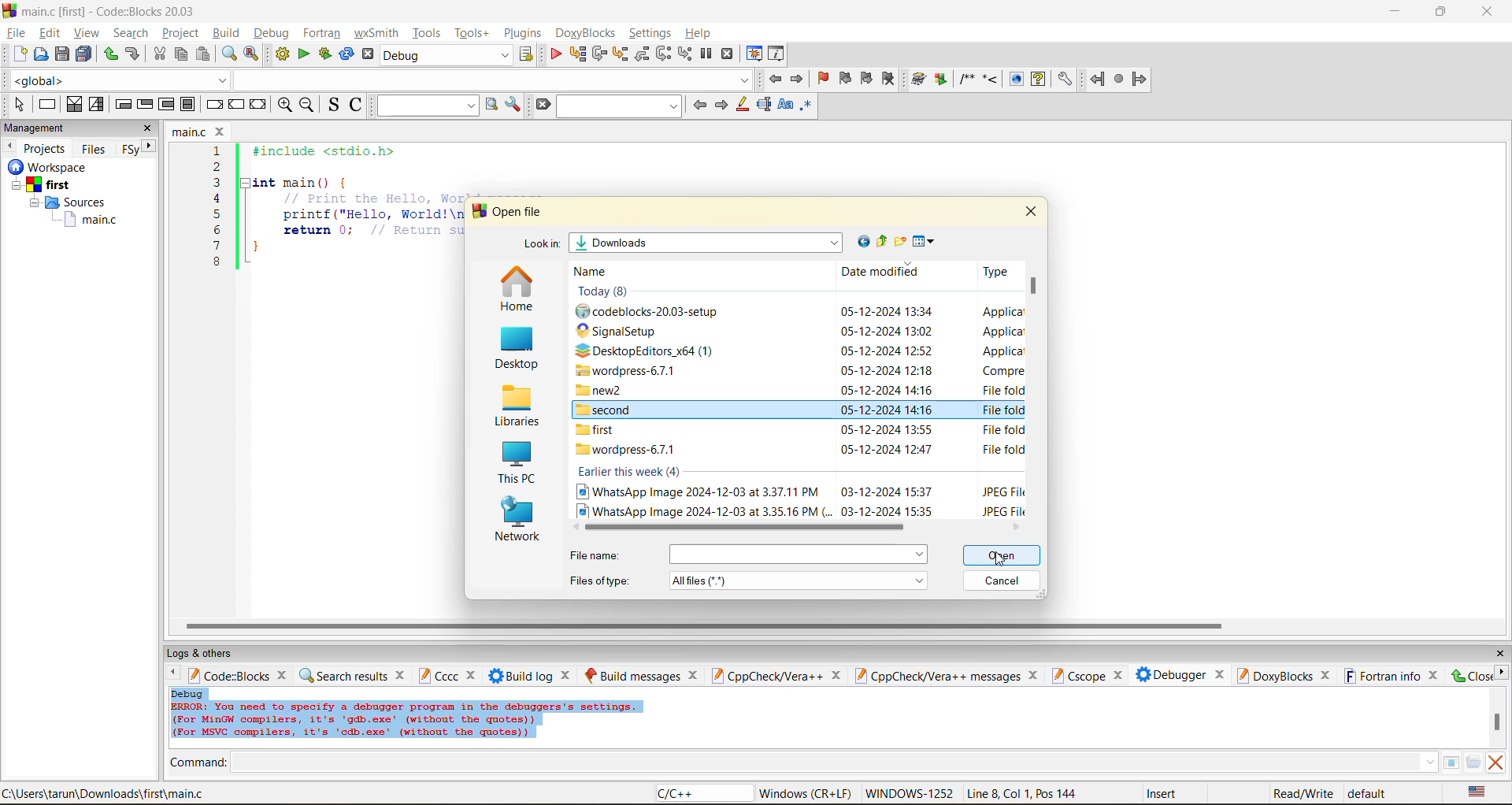 This screenshot has height=805, width=1512. Describe the element at coordinates (1473, 763) in the screenshot. I see `open/browse` at that location.